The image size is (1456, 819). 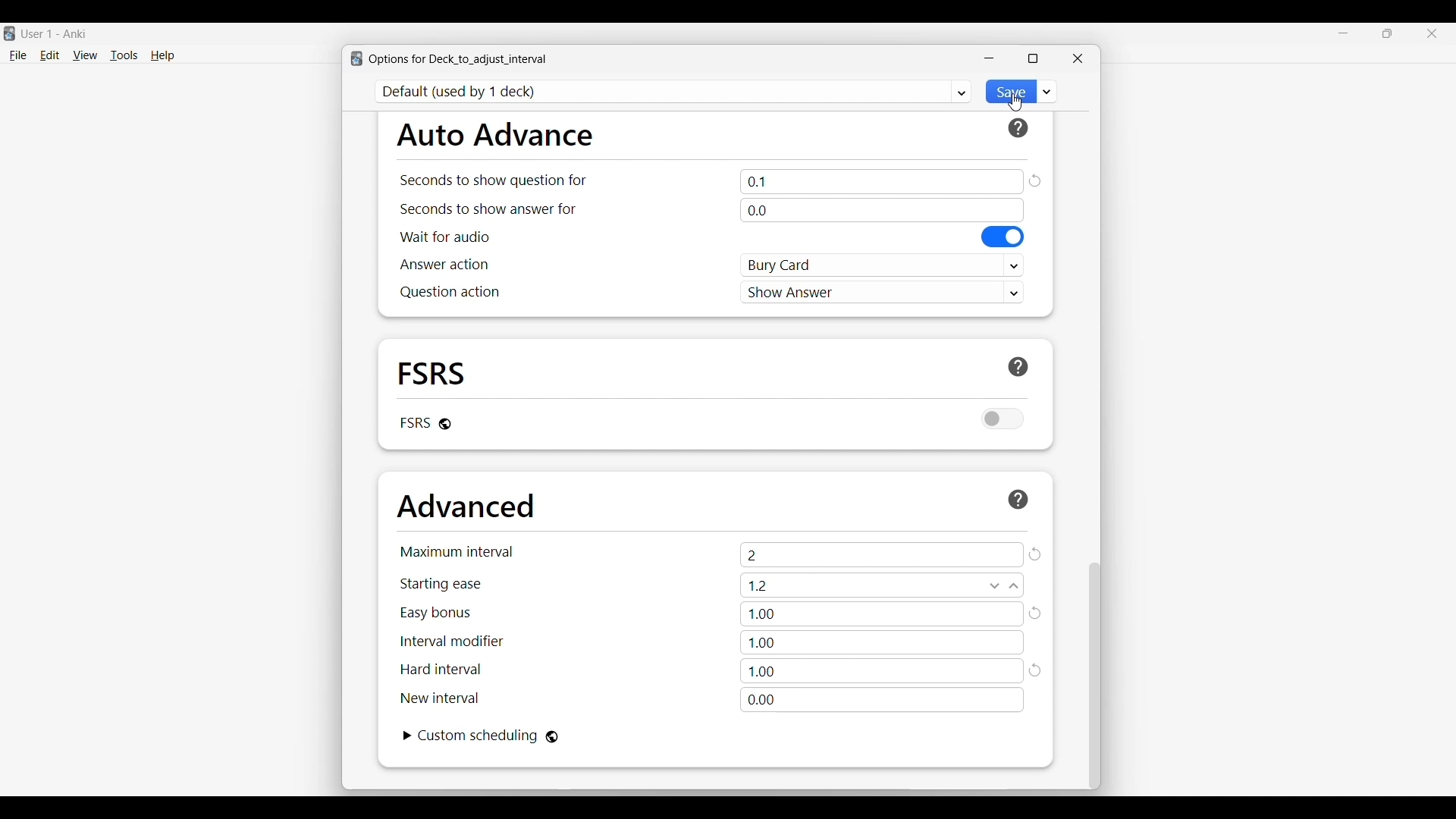 What do you see at coordinates (9, 33) in the screenshot?
I see `Software logo` at bounding box center [9, 33].